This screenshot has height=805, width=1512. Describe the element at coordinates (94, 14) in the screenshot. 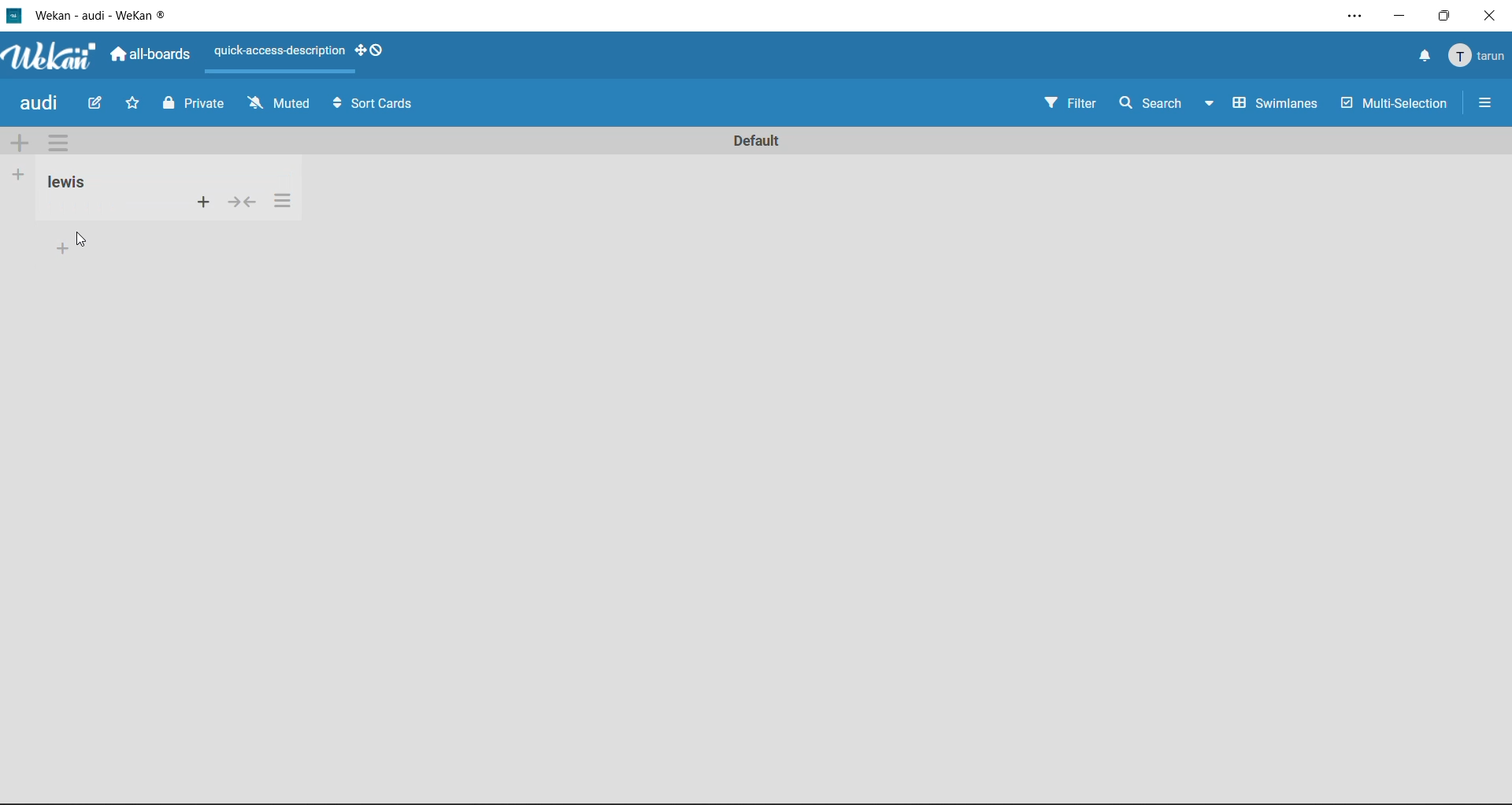

I see `Wekan - audi - WeKan` at that location.